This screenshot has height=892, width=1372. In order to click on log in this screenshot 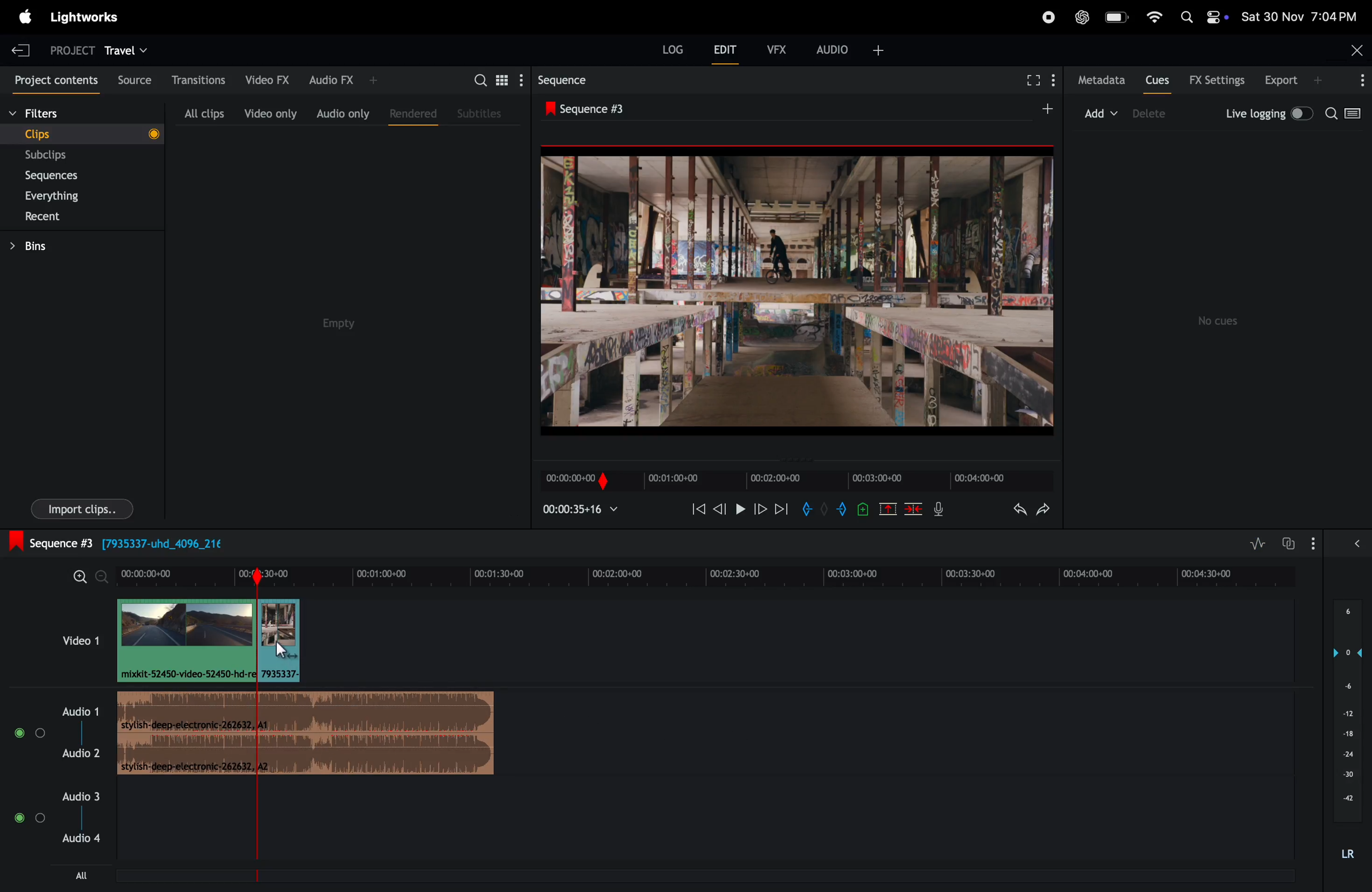, I will do `click(666, 53)`.